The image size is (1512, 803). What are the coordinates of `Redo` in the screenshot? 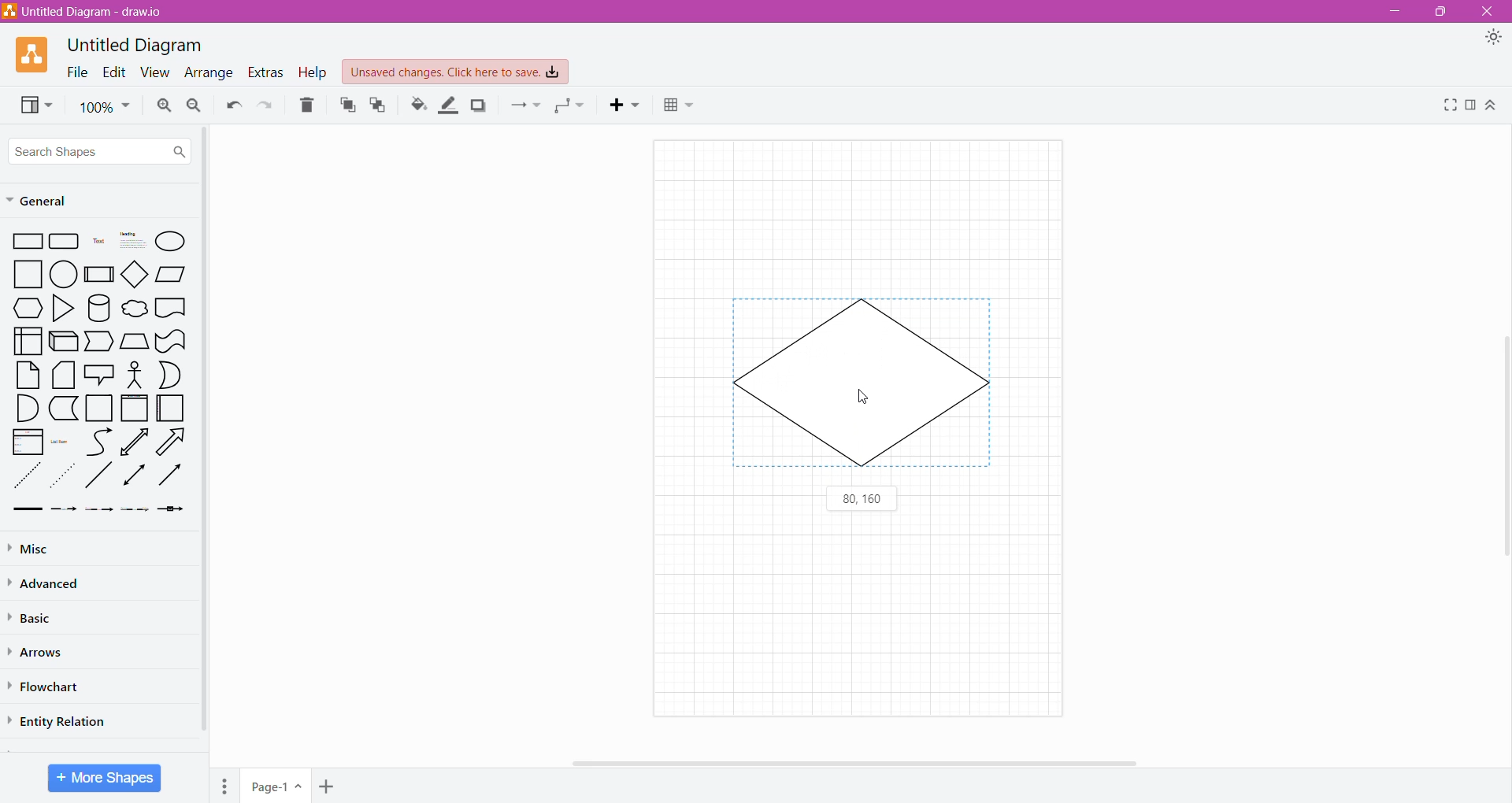 It's located at (267, 105).